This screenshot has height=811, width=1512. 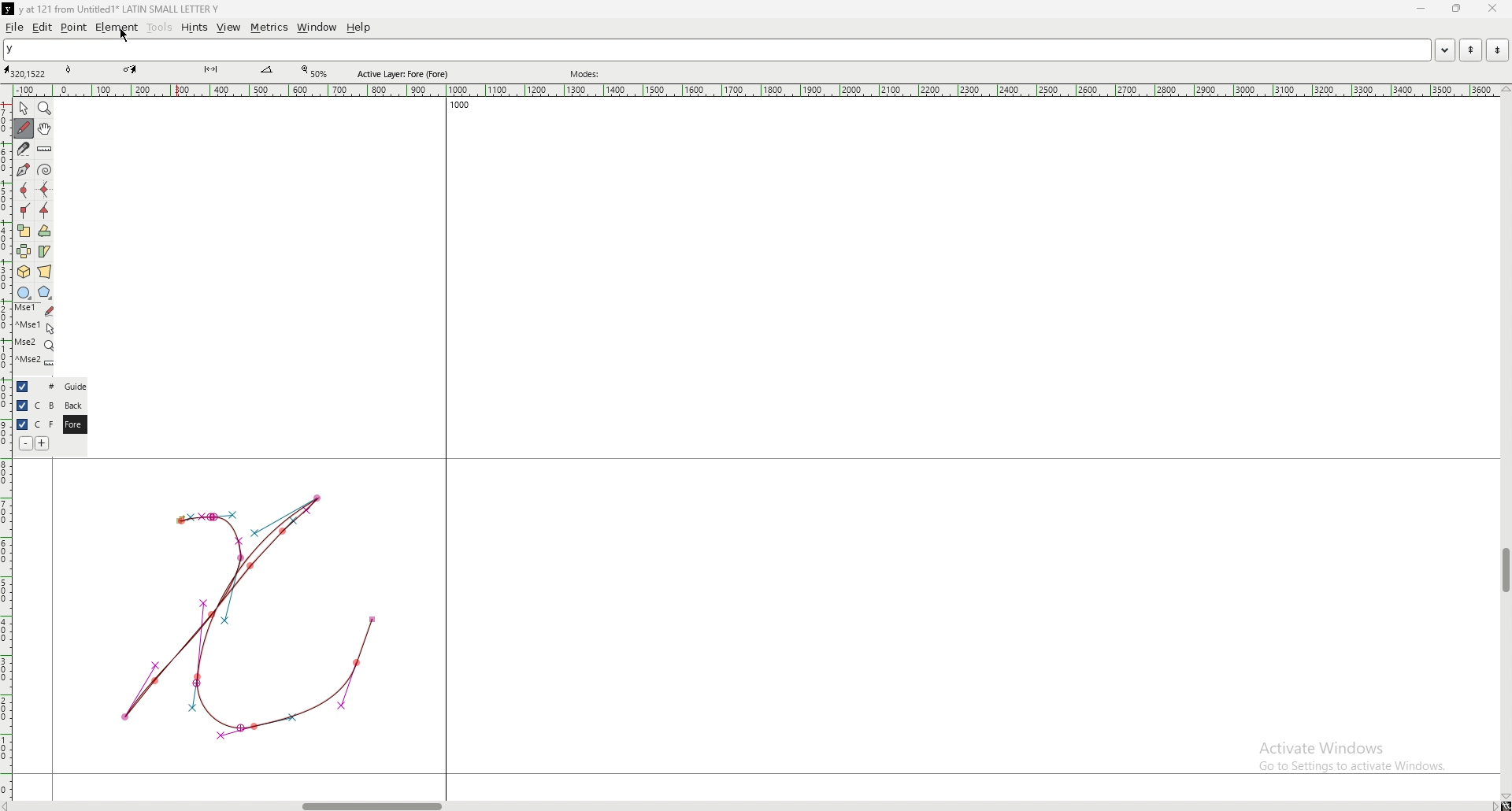 What do you see at coordinates (1493, 805) in the screenshot?
I see `scroll right` at bounding box center [1493, 805].